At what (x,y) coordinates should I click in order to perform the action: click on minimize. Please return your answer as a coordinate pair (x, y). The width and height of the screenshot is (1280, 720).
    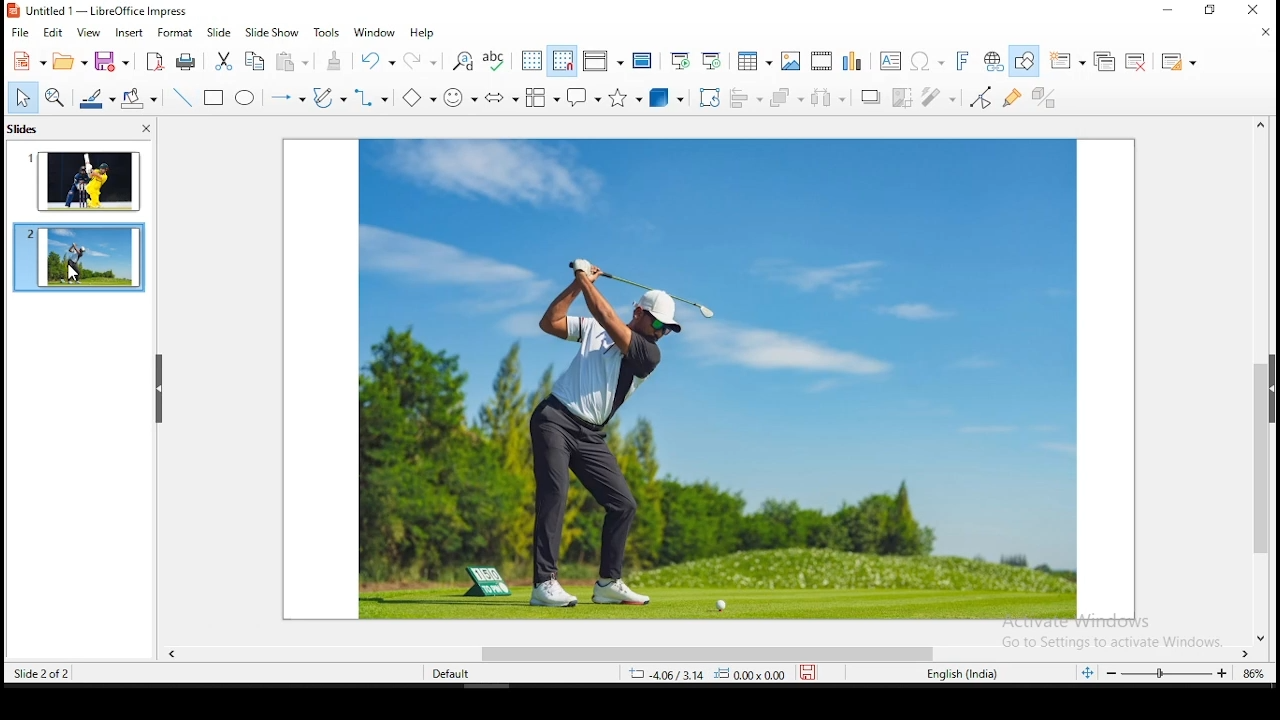
    Looking at the image, I should click on (1172, 10).